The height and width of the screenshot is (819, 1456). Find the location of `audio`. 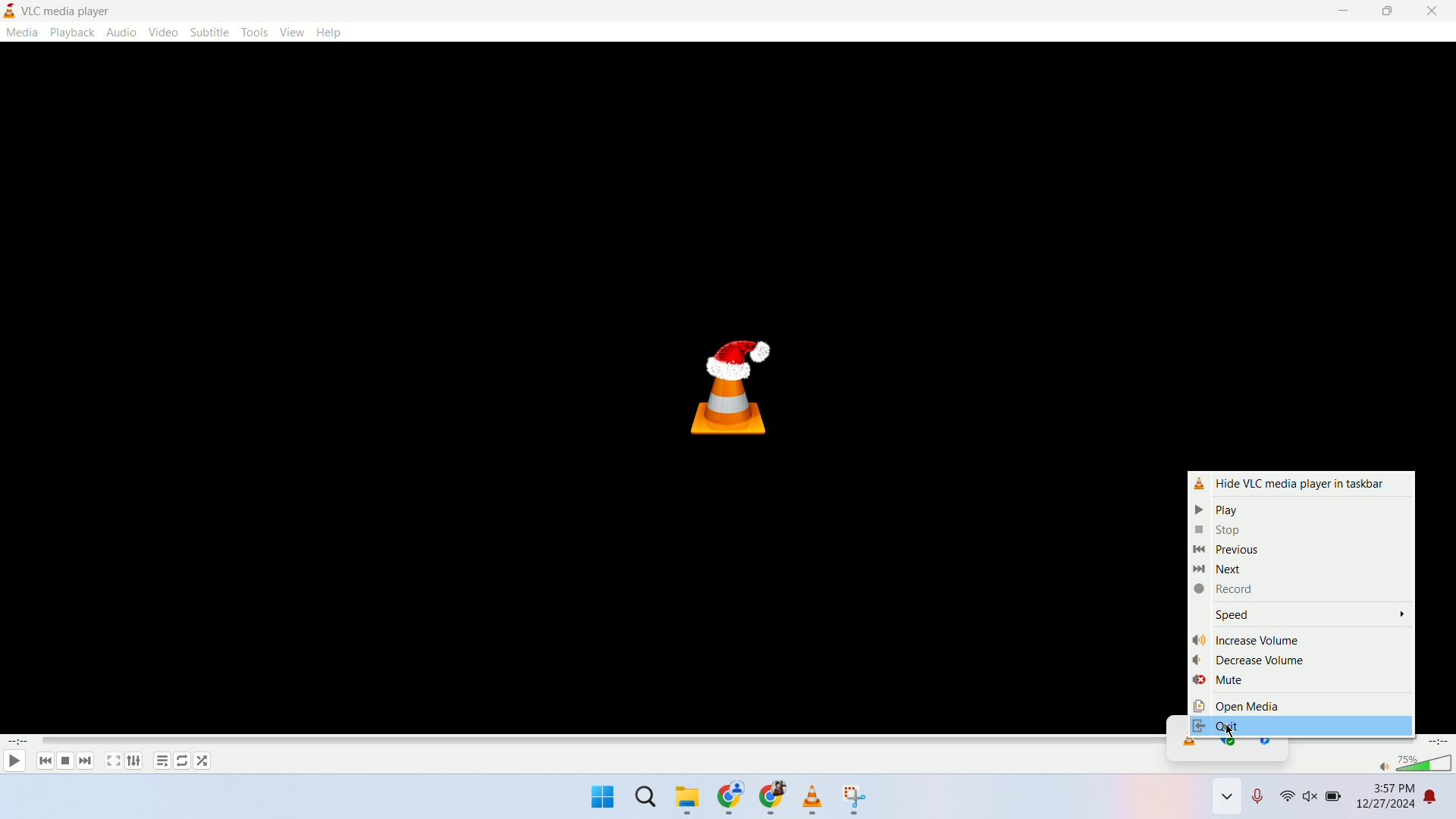

audio is located at coordinates (121, 32).